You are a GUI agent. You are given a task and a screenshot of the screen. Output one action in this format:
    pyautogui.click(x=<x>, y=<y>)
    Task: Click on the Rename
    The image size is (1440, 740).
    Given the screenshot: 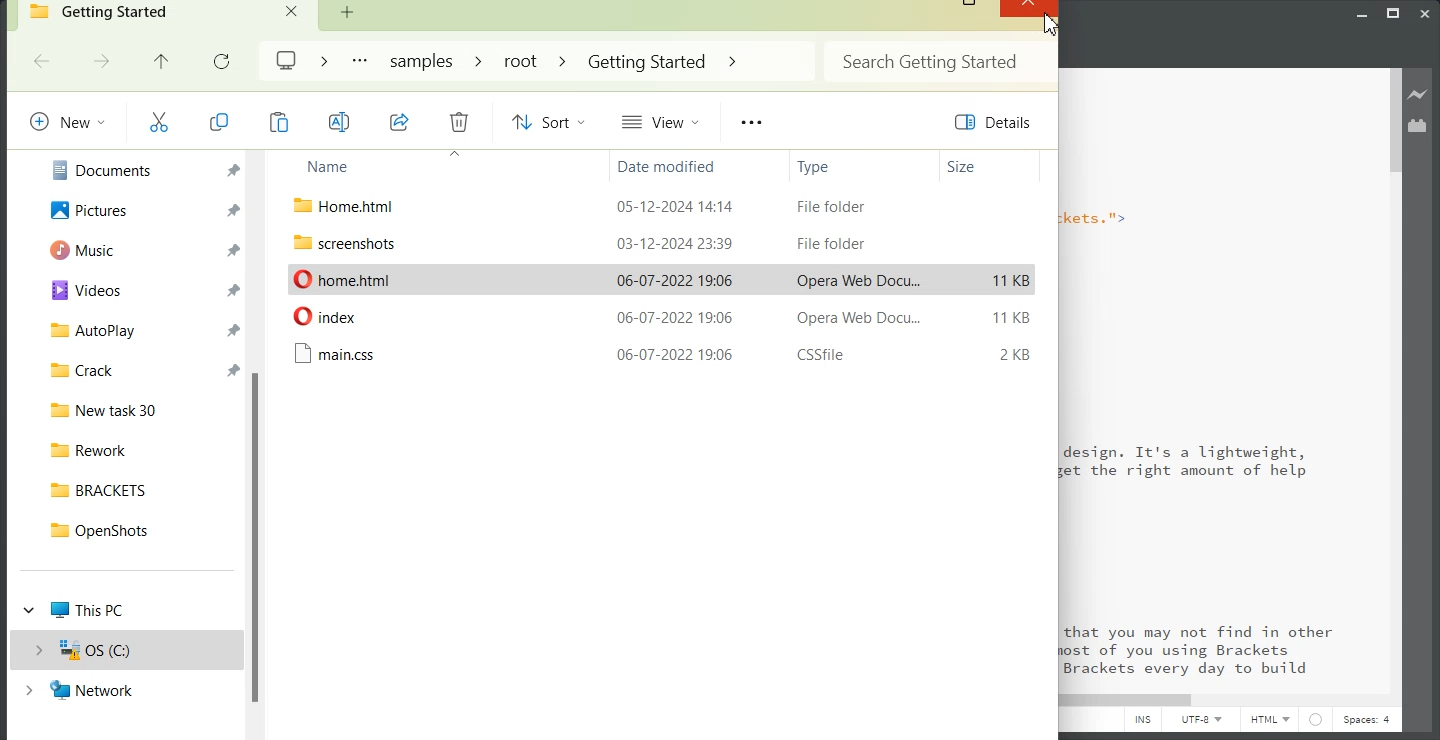 What is the action you would take?
    pyautogui.click(x=341, y=122)
    